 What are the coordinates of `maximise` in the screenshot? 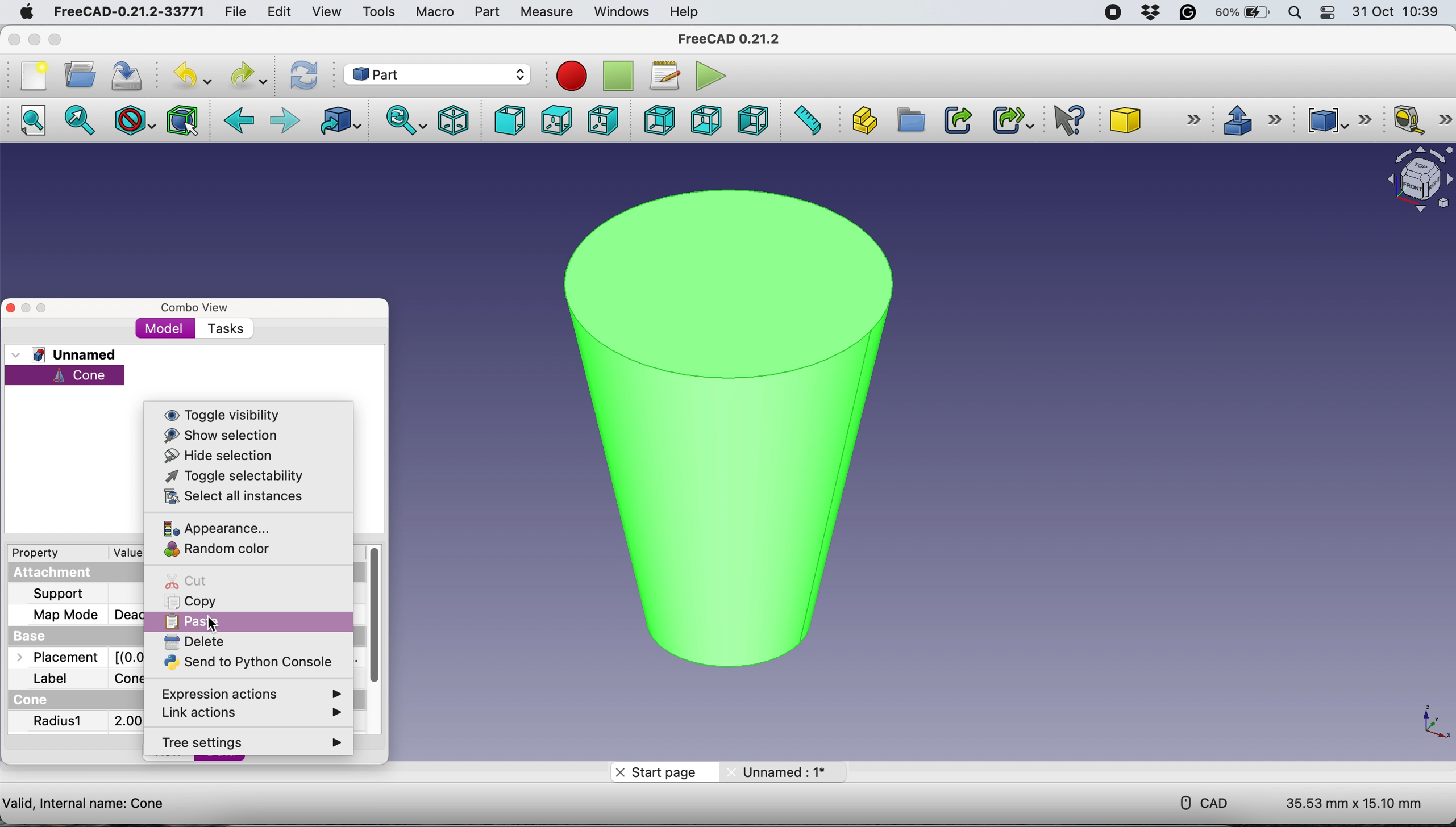 It's located at (43, 308).